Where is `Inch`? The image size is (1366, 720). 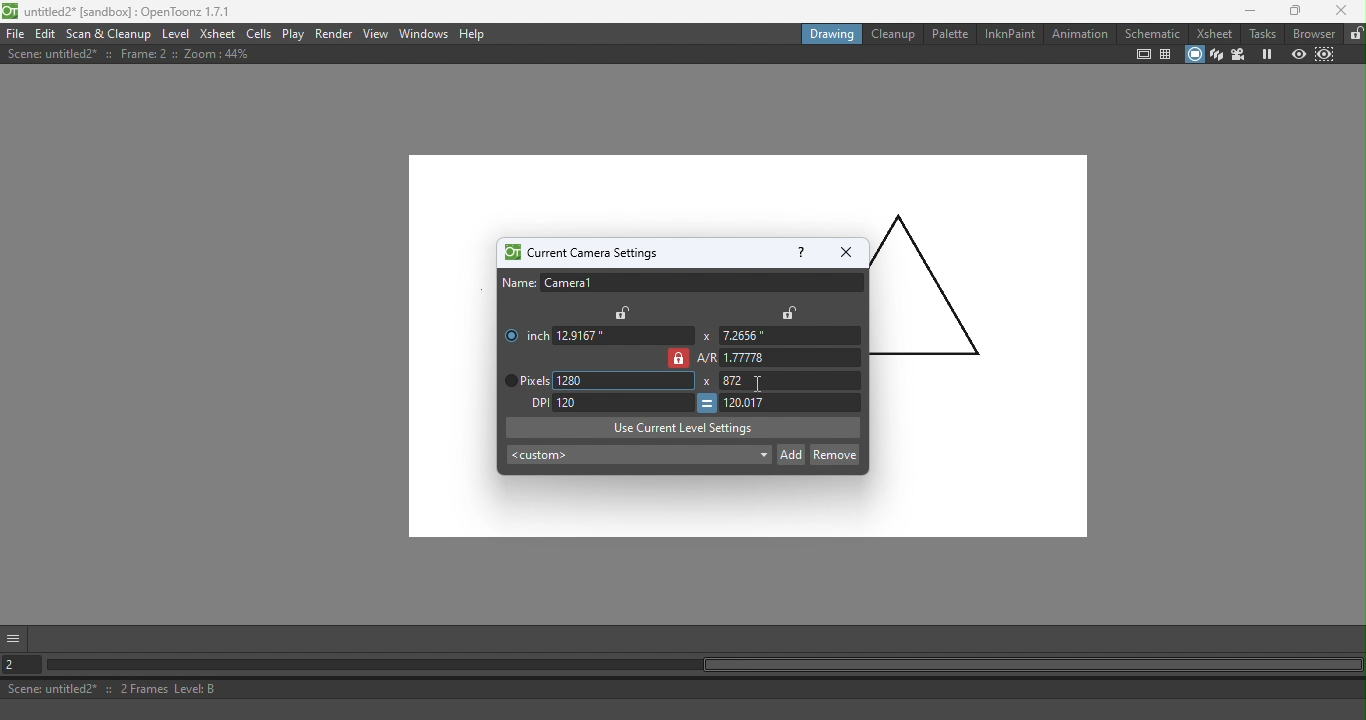 Inch is located at coordinates (523, 331).